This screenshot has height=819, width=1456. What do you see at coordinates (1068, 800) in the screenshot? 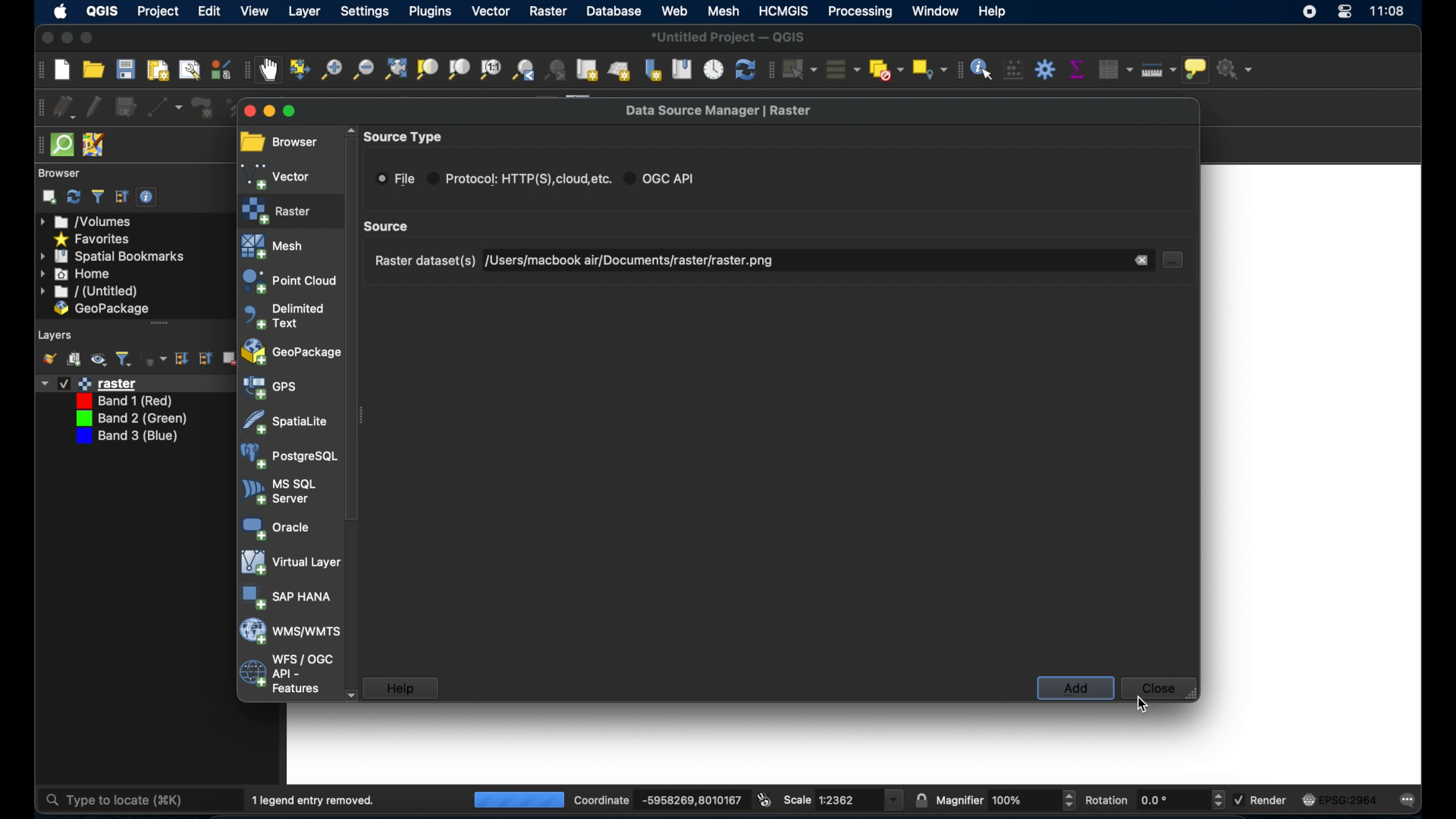
I see `Increase or decrease` at bounding box center [1068, 800].